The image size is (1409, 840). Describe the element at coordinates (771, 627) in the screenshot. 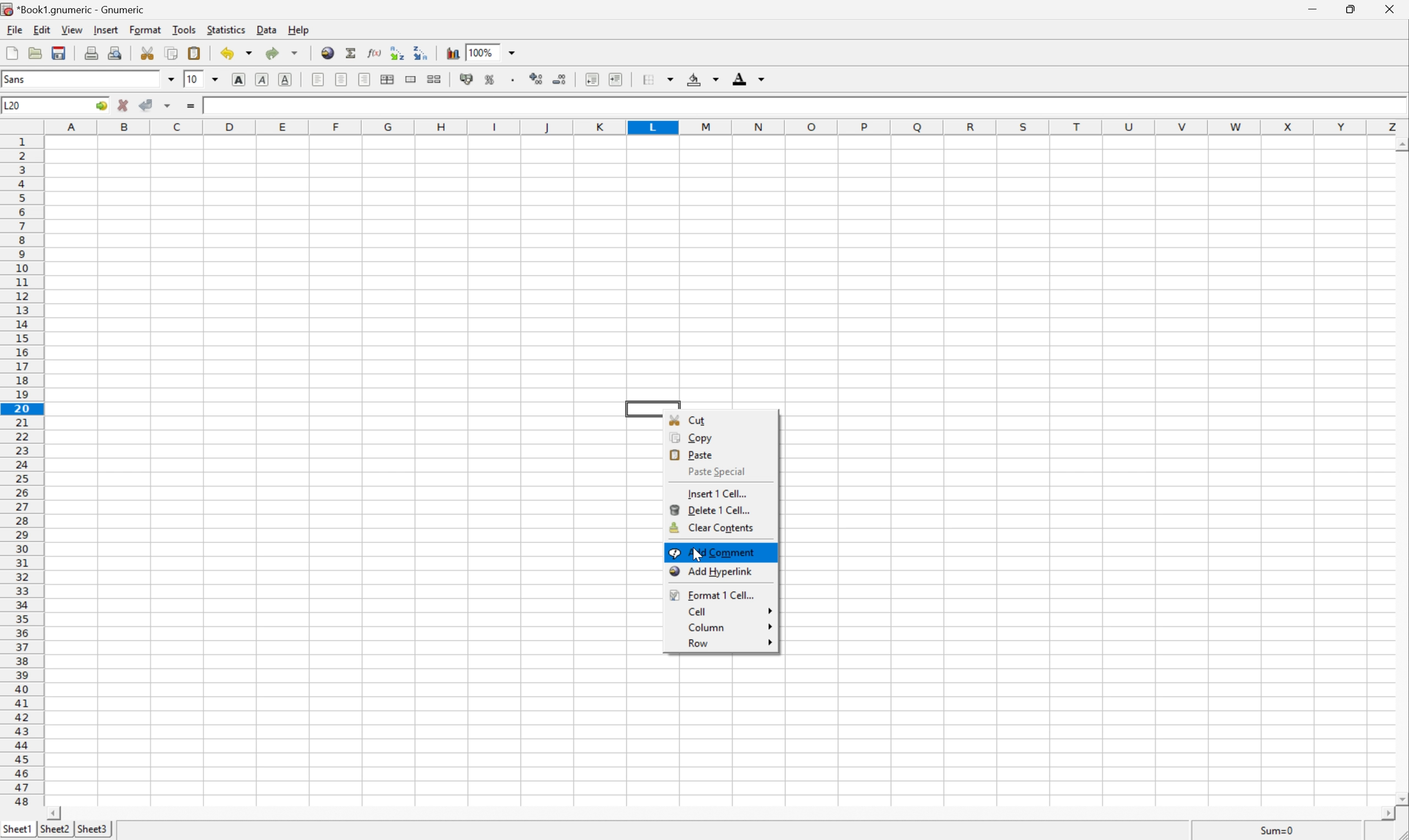

I see `Drop Down` at that location.